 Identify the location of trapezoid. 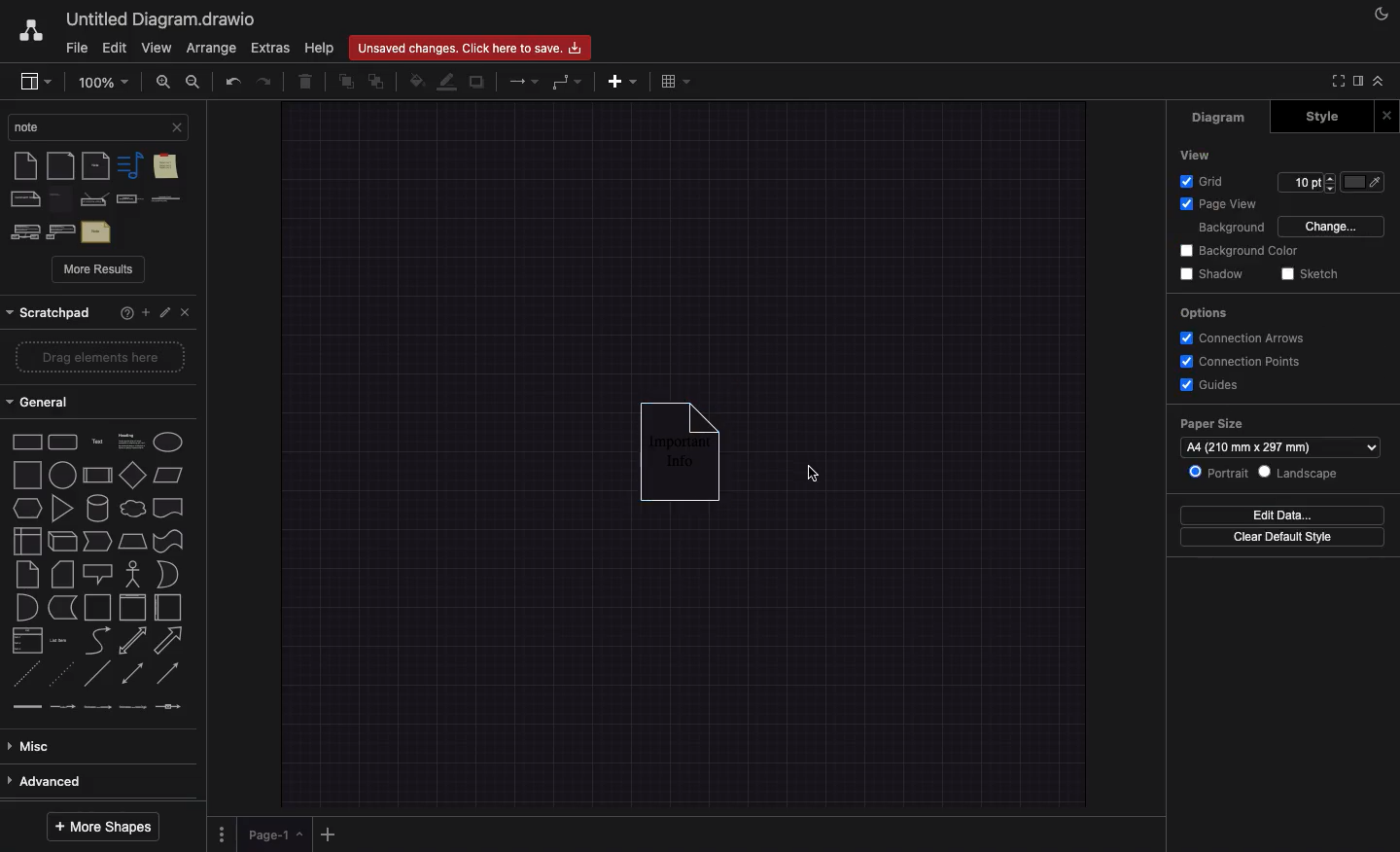
(134, 543).